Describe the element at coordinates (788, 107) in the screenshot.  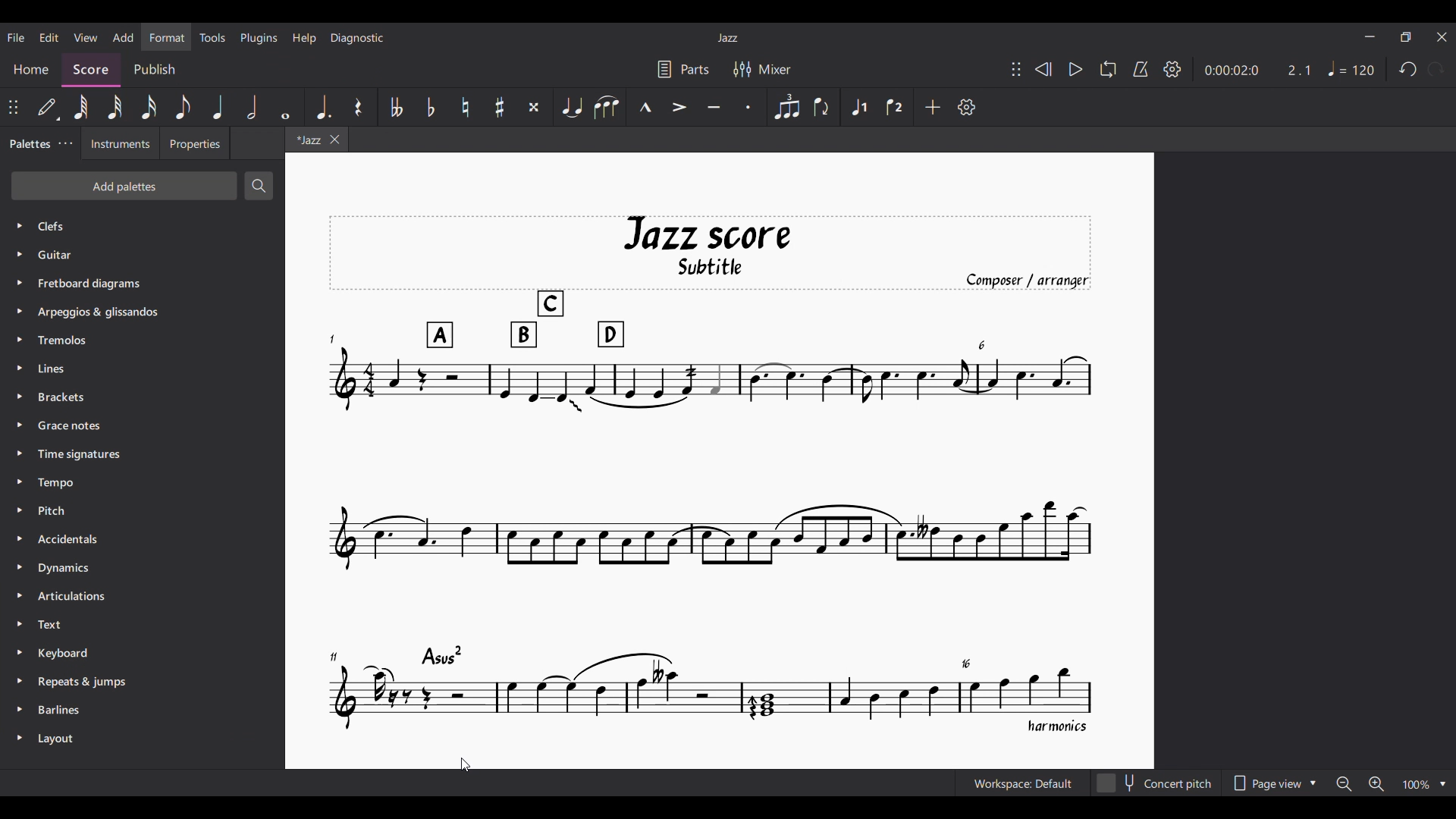
I see `Tuplet` at that location.